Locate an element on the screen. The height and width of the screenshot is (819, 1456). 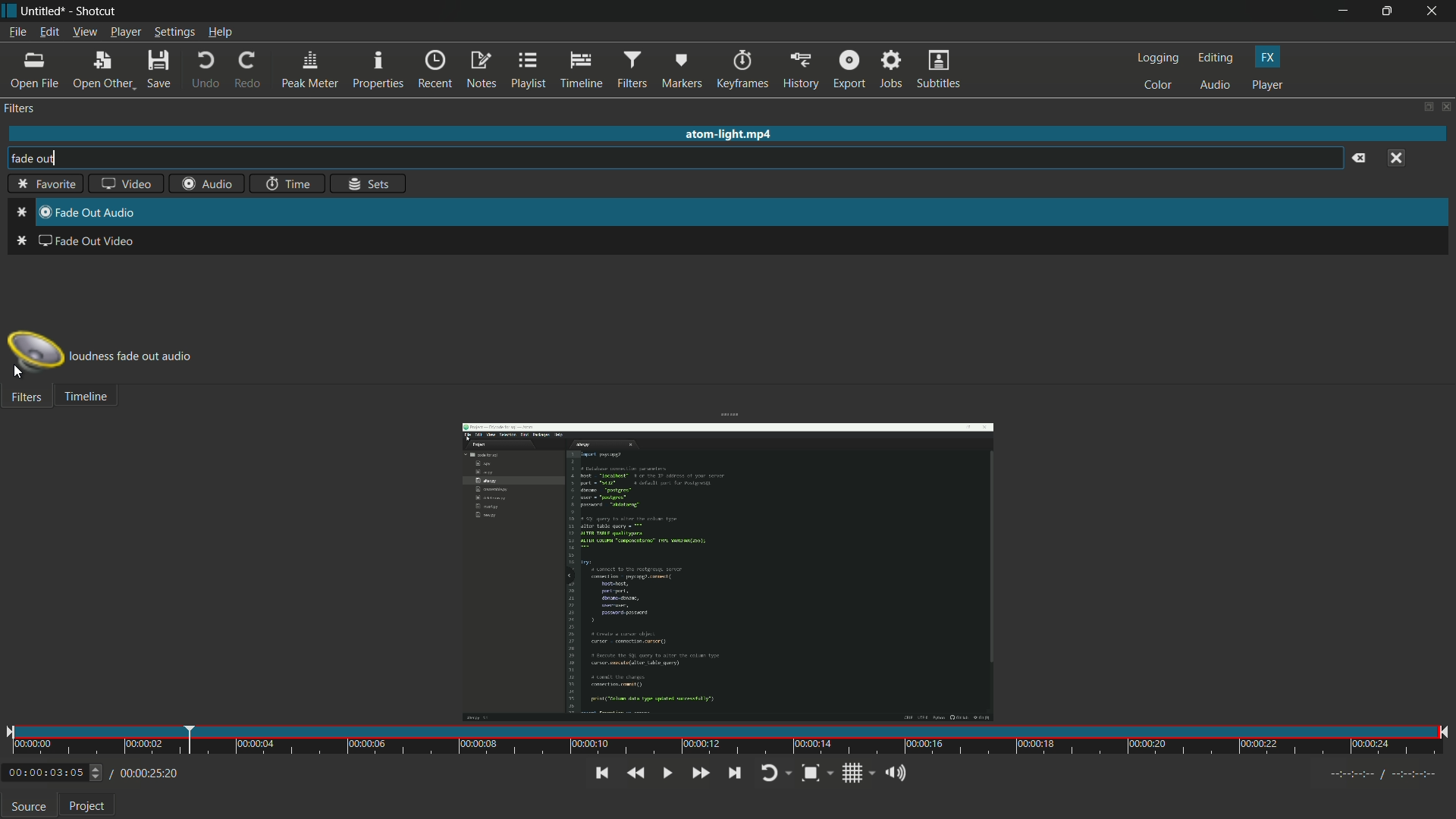
sets is located at coordinates (370, 184).